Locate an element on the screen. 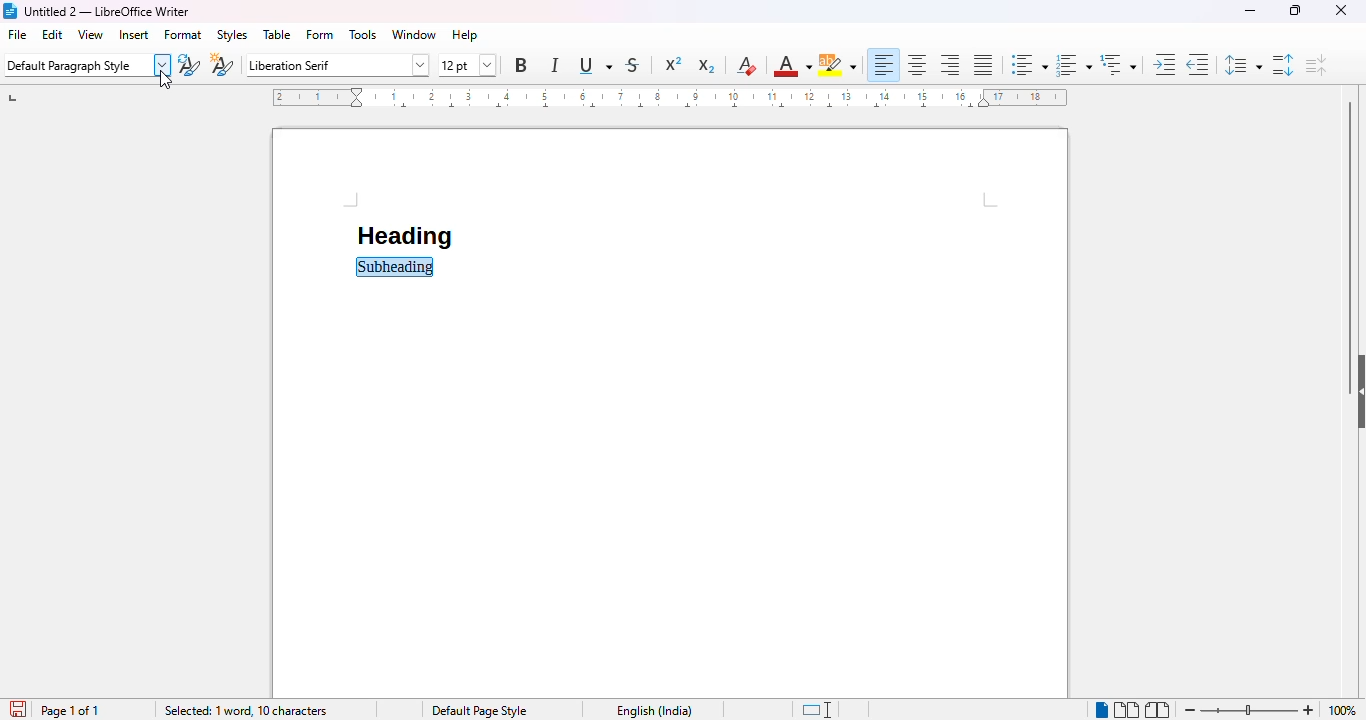  selected: 1 word, 10 characters is located at coordinates (246, 711).